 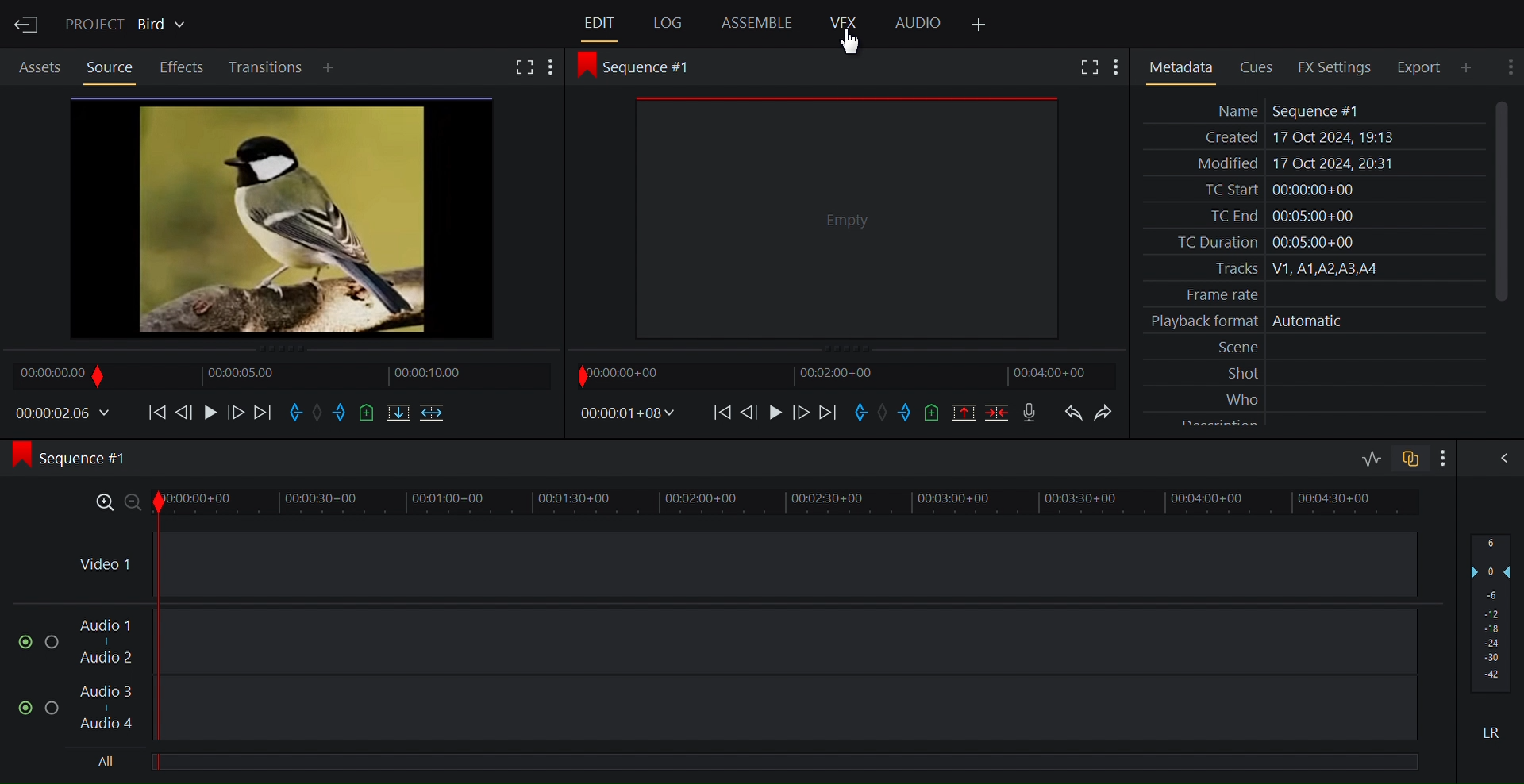 I want to click on Sequence 1, so click(x=83, y=458).